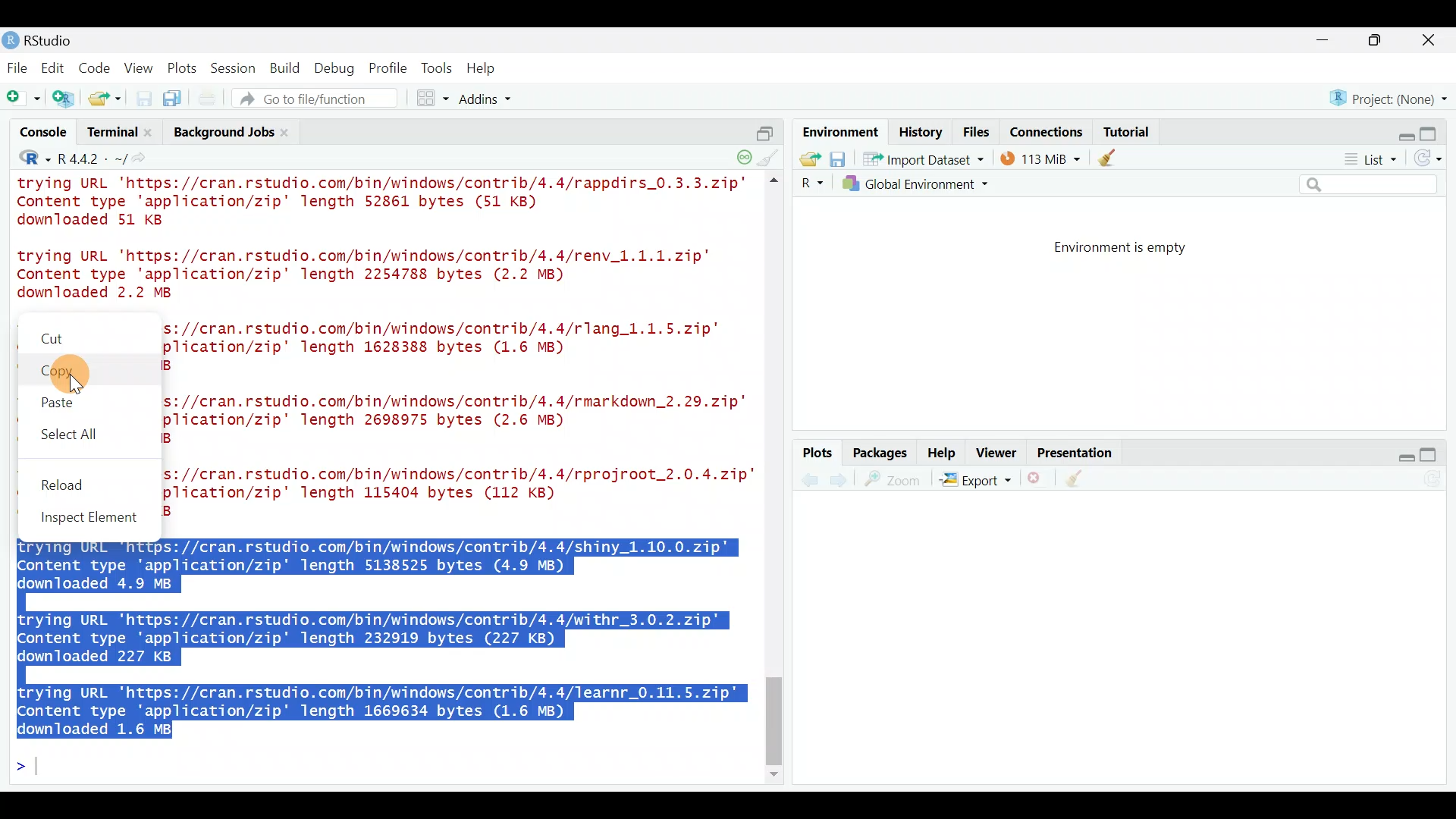 This screenshot has width=1456, height=819. What do you see at coordinates (24, 160) in the screenshot?
I see `R` at bounding box center [24, 160].